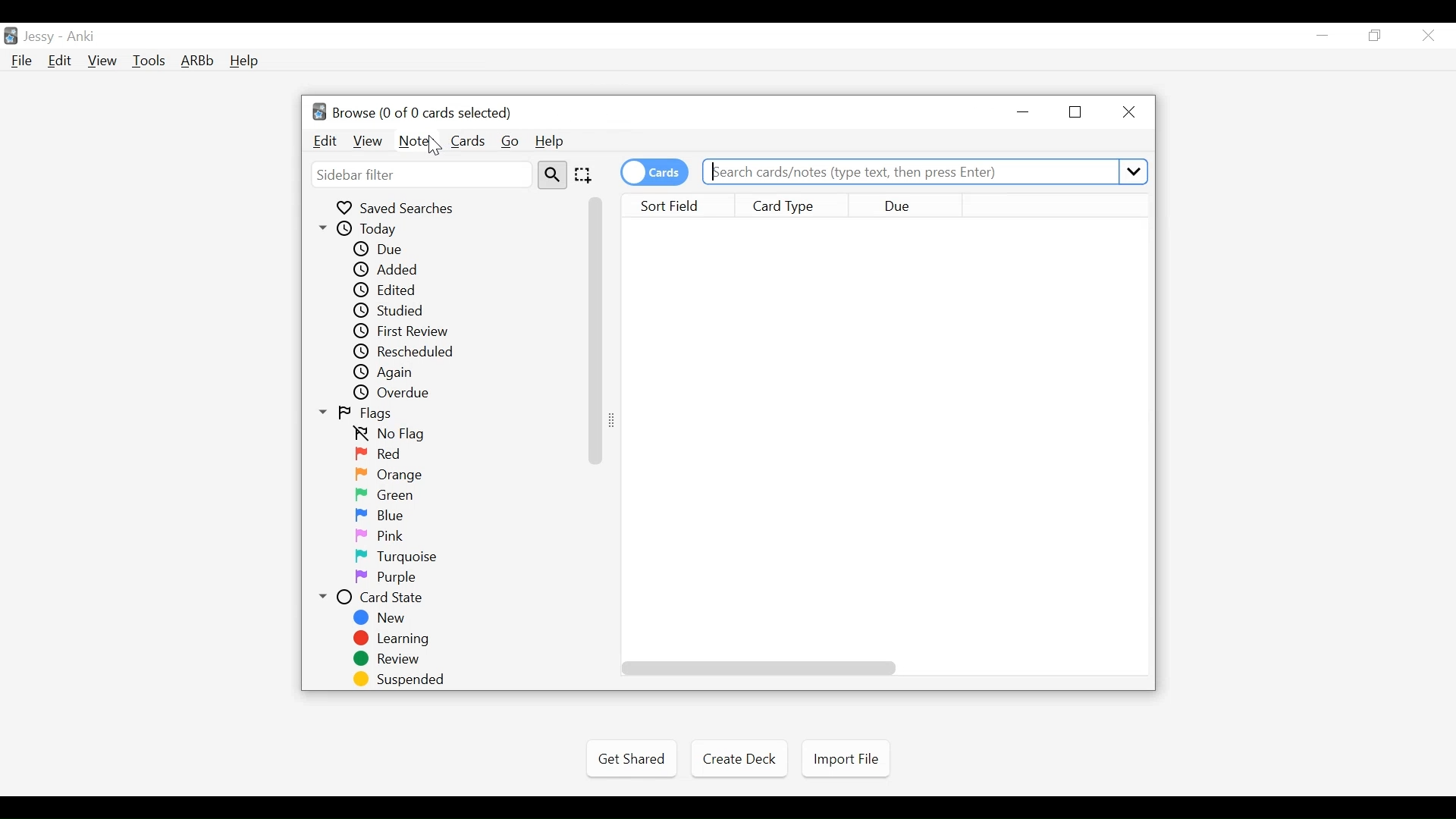 Image resolution: width=1456 pixels, height=819 pixels. I want to click on Flags, so click(359, 413).